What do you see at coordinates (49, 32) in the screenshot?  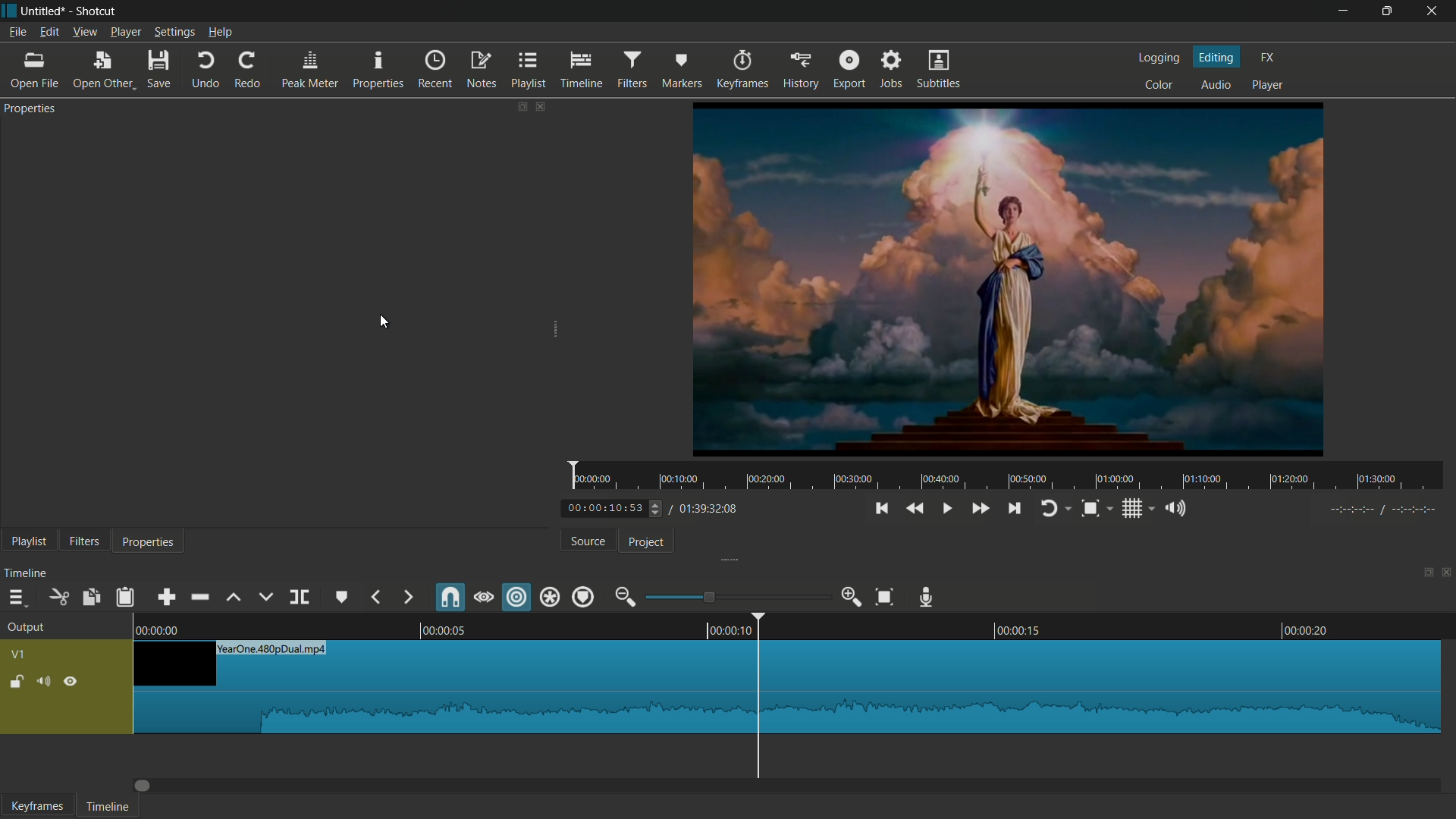 I see `edit menu` at bounding box center [49, 32].